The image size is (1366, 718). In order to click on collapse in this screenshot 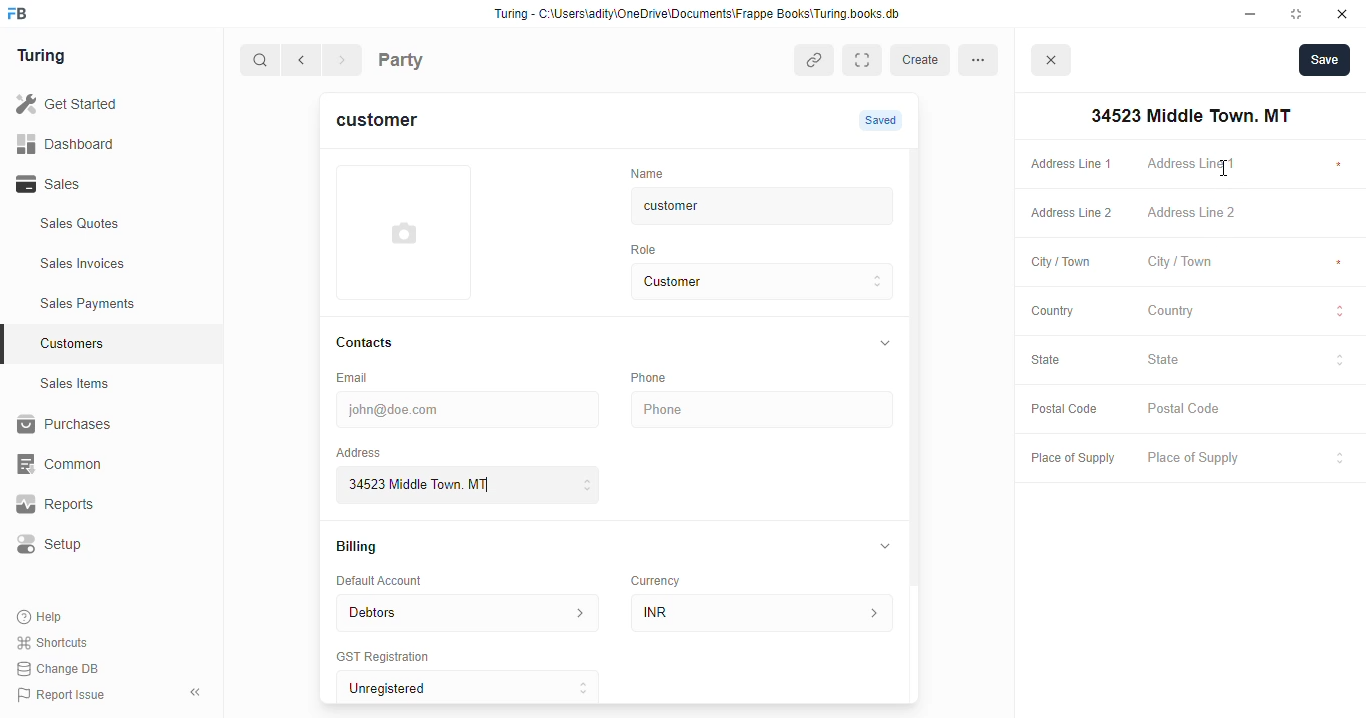, I will do `click(886, 545)`.